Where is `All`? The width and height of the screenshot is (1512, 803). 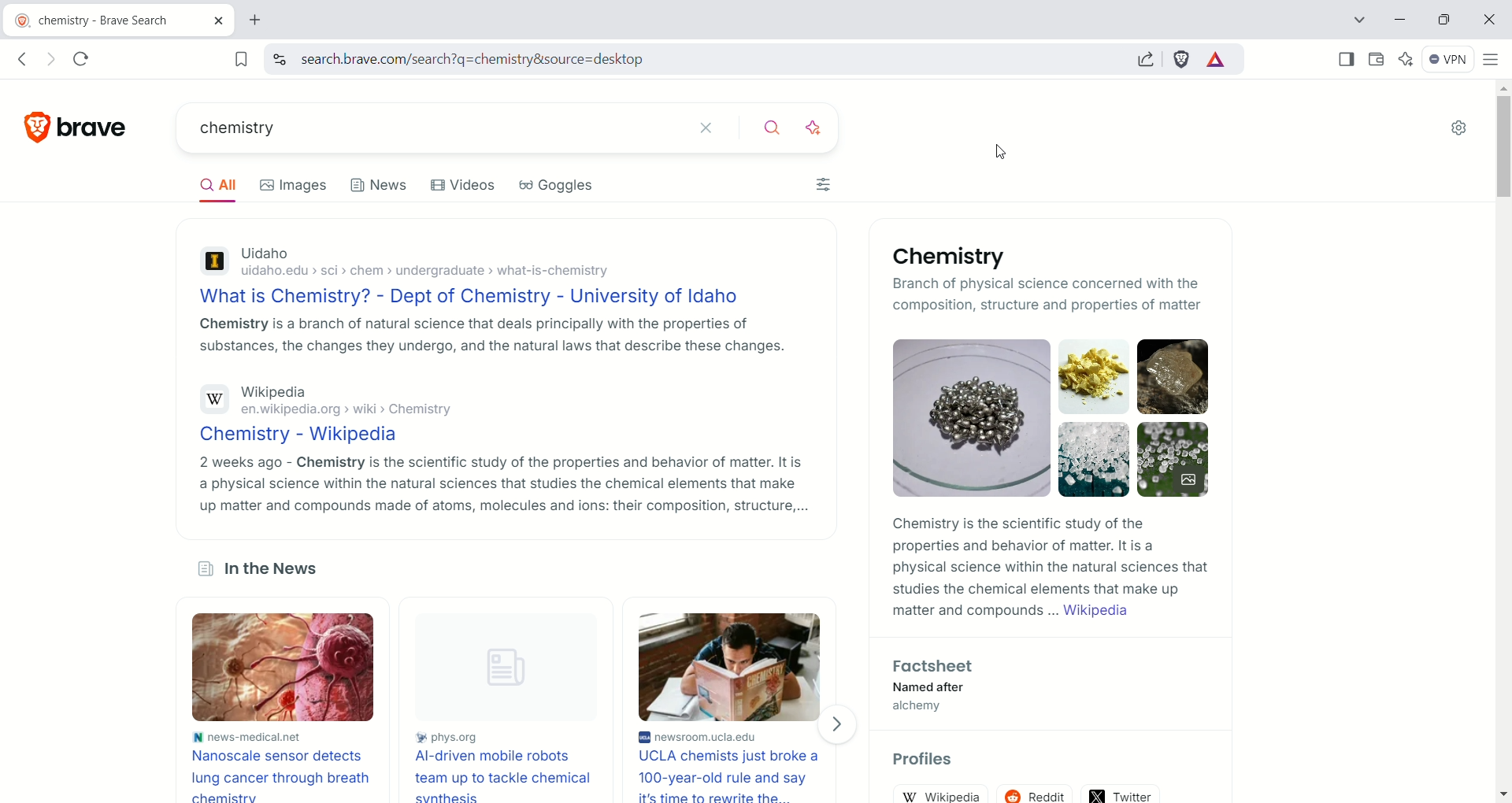
All is located at coordinates (216, 185).